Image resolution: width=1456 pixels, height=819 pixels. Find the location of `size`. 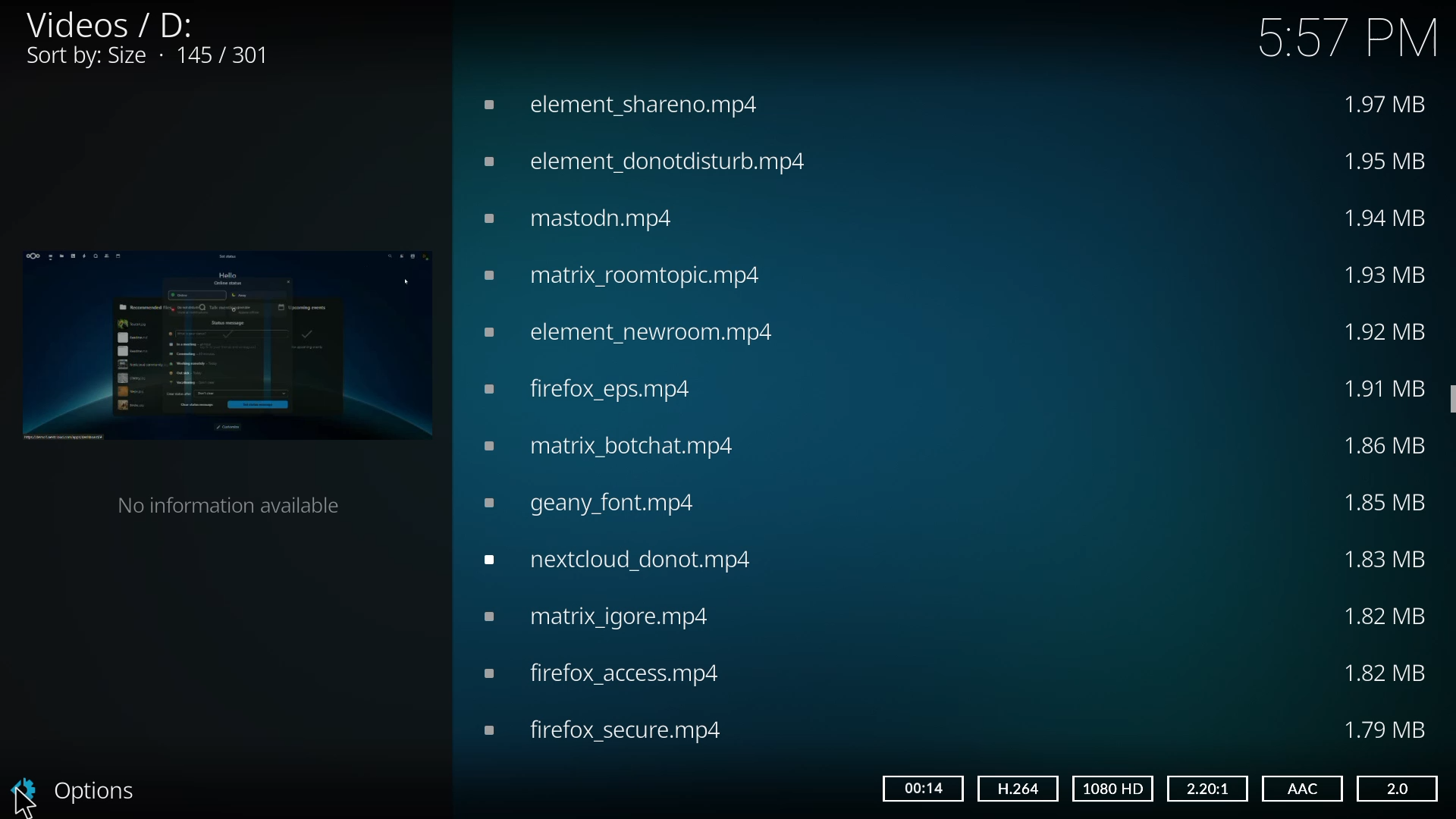

size is located at coordinates (1389, 216).